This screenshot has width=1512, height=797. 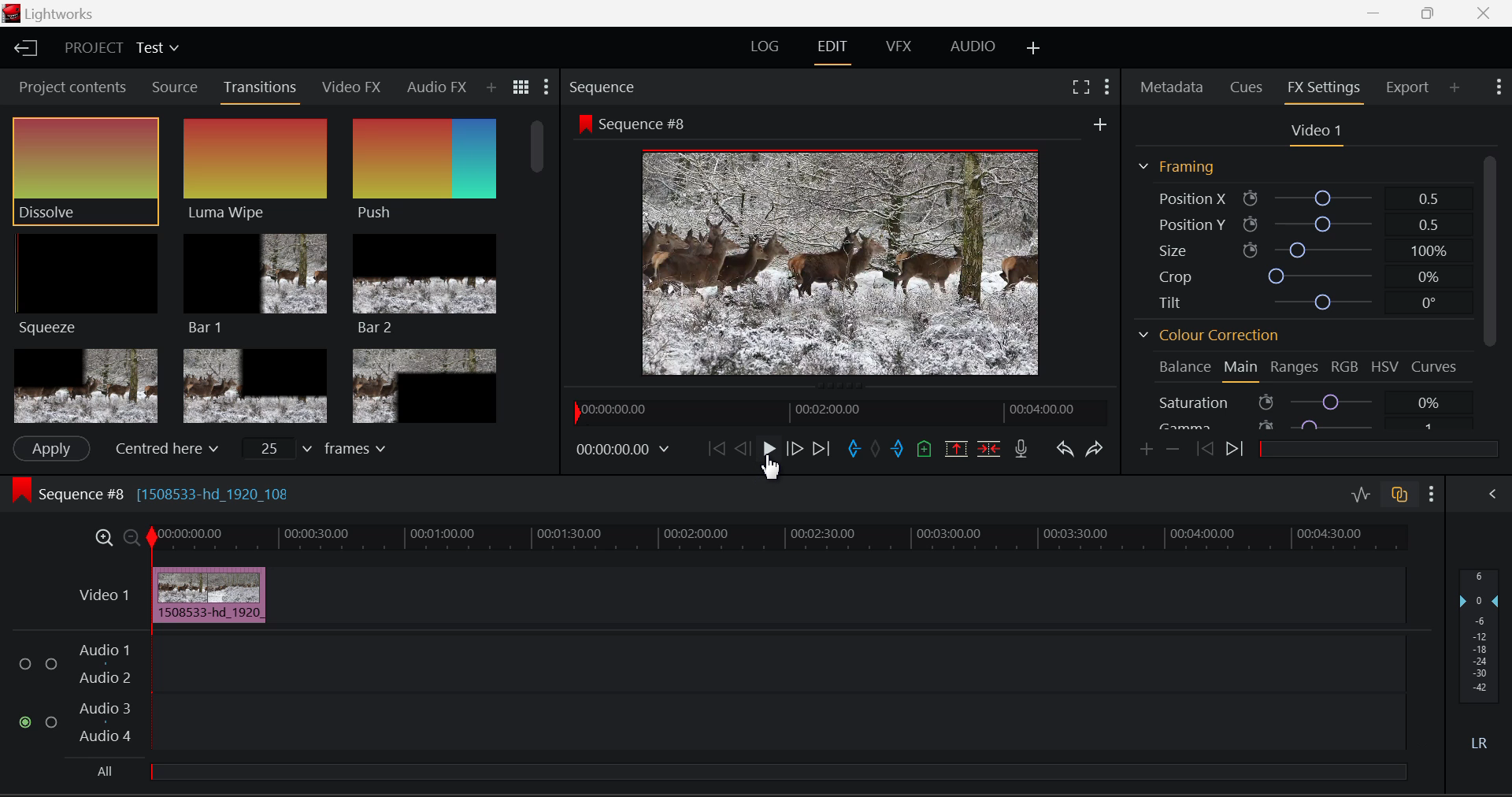 I want to click on Show Settings, so click(x=1499, y=87).